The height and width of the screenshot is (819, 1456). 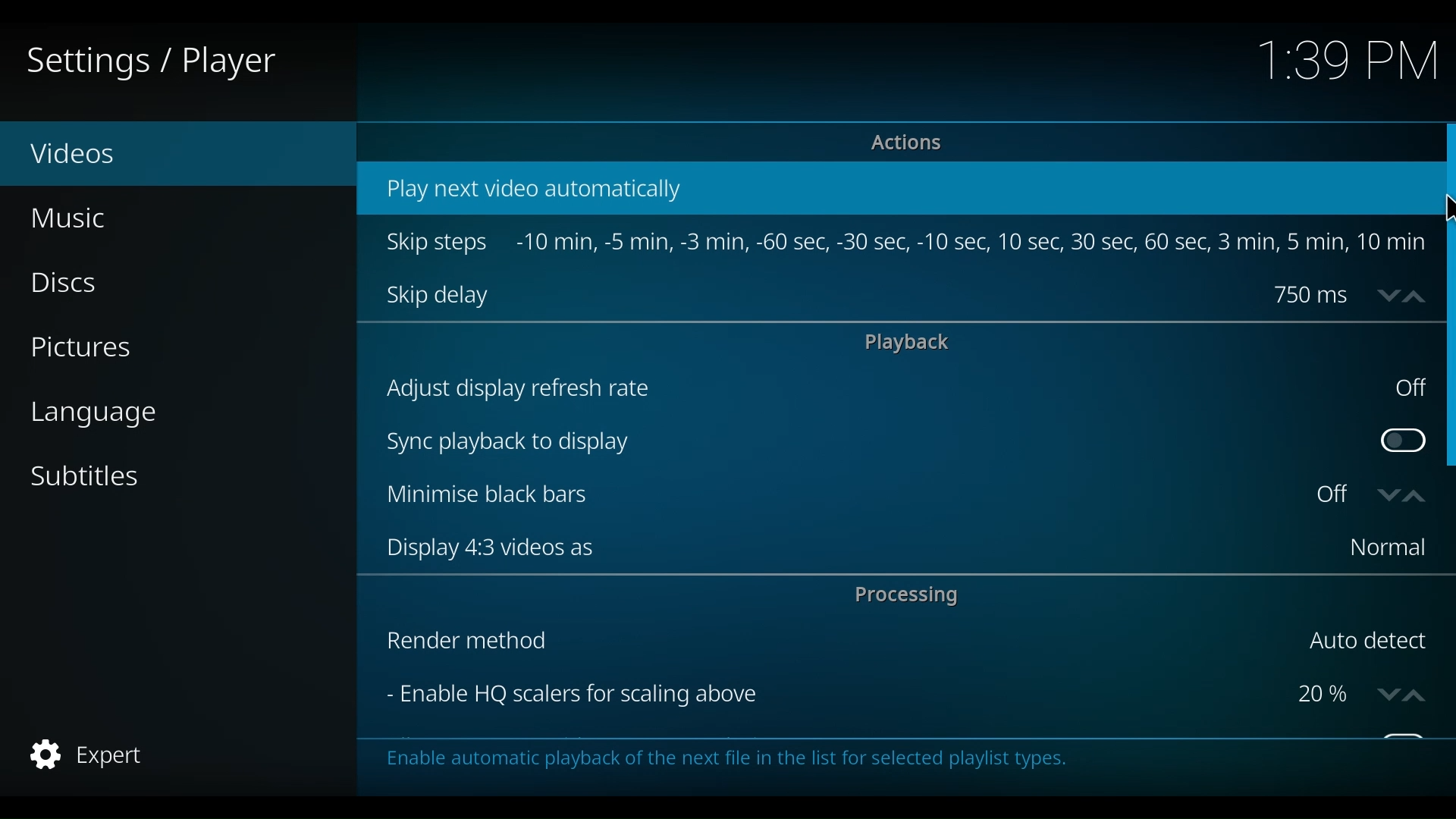 What do you see at coordinates (90, 755) in the screenshot?
I see `Expert` at bounding box center [90, 755].